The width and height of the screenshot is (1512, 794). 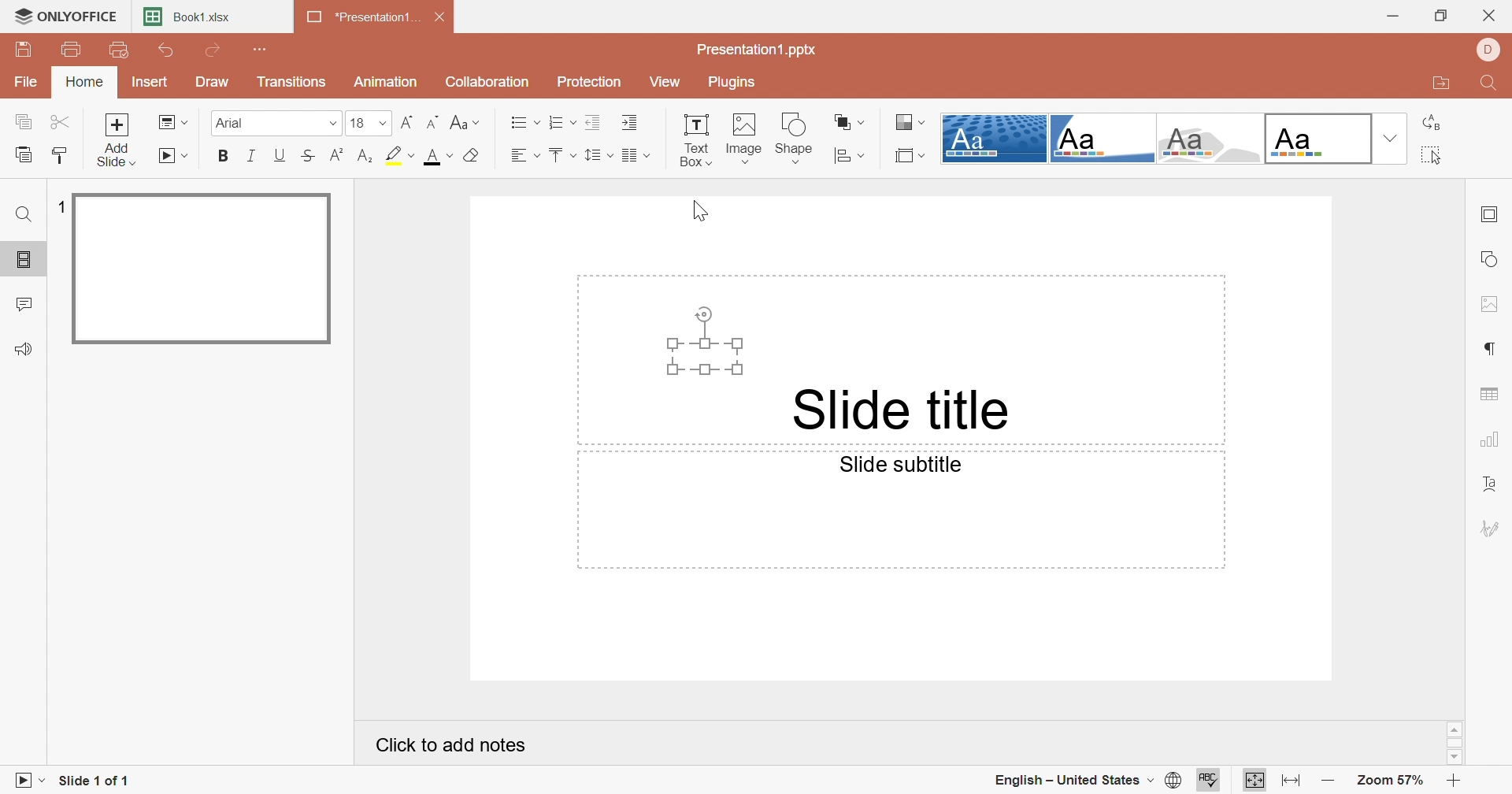 I want to click on View, so click(x=661, y=79).